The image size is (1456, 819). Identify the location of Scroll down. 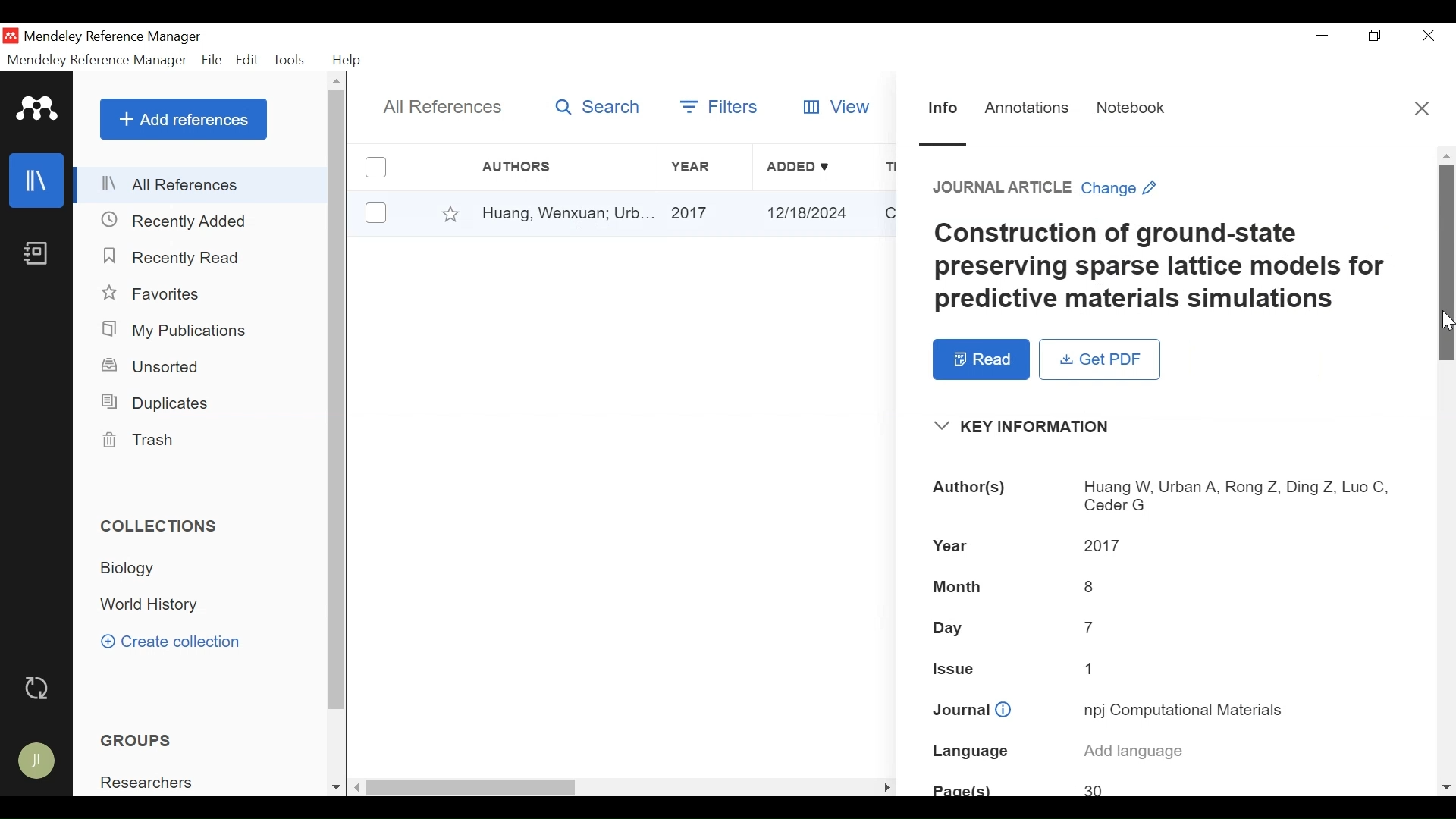
(1445, 786).